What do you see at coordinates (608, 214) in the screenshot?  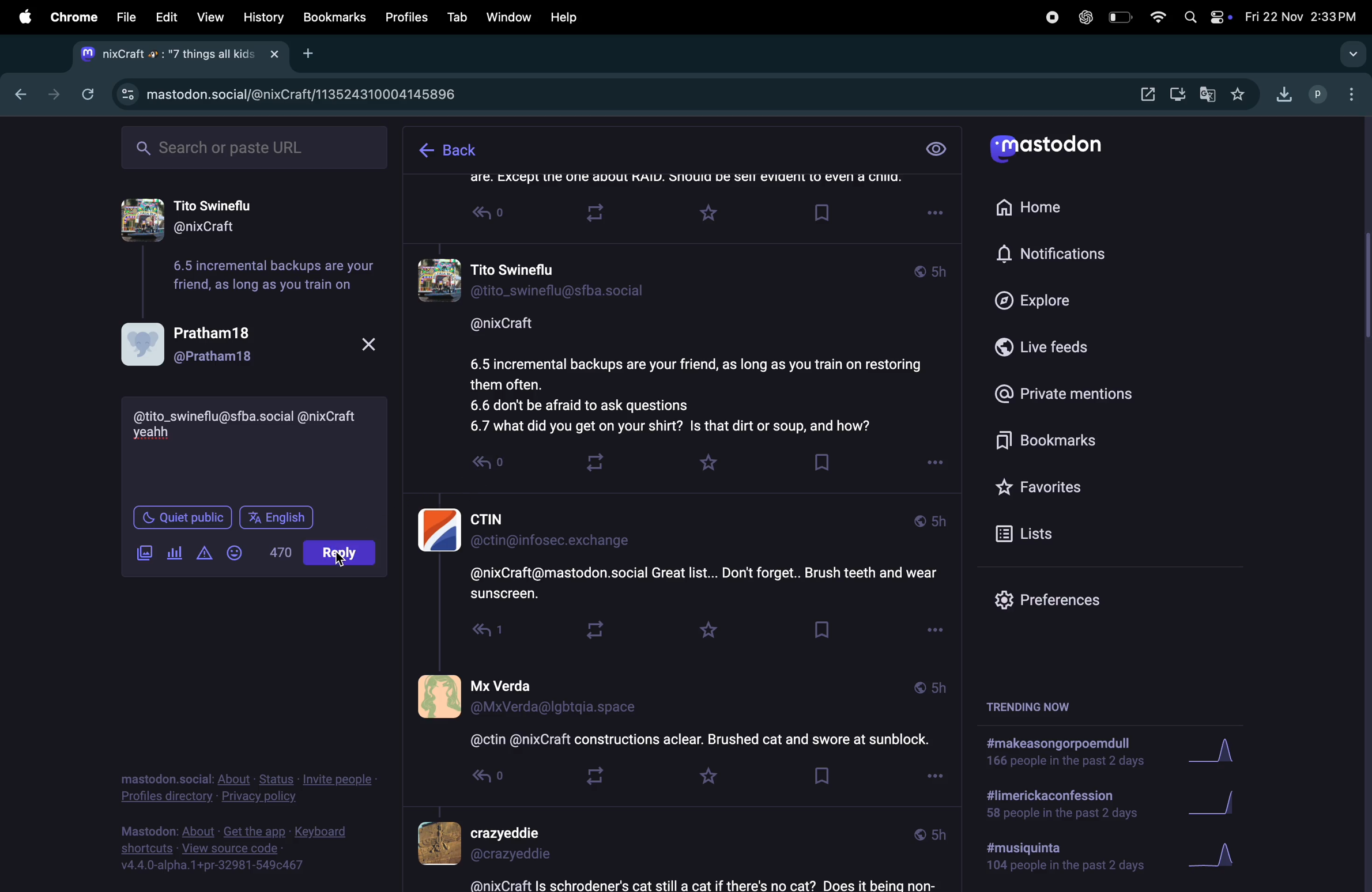 I see `Loop` at bounding box center [608, 214].